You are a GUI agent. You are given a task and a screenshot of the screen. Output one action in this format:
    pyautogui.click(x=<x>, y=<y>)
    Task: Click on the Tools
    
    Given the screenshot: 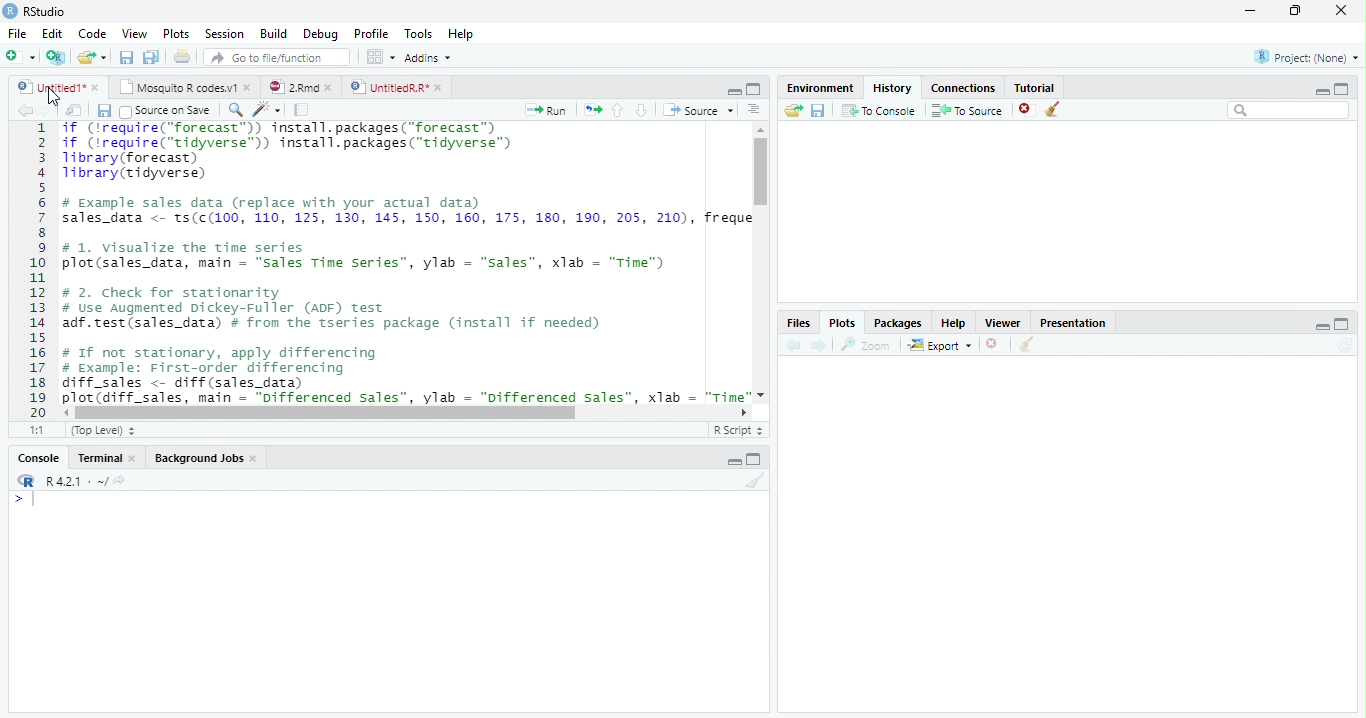 What is the action you would take?
    pyautogui.click(x=417, y=33)
    